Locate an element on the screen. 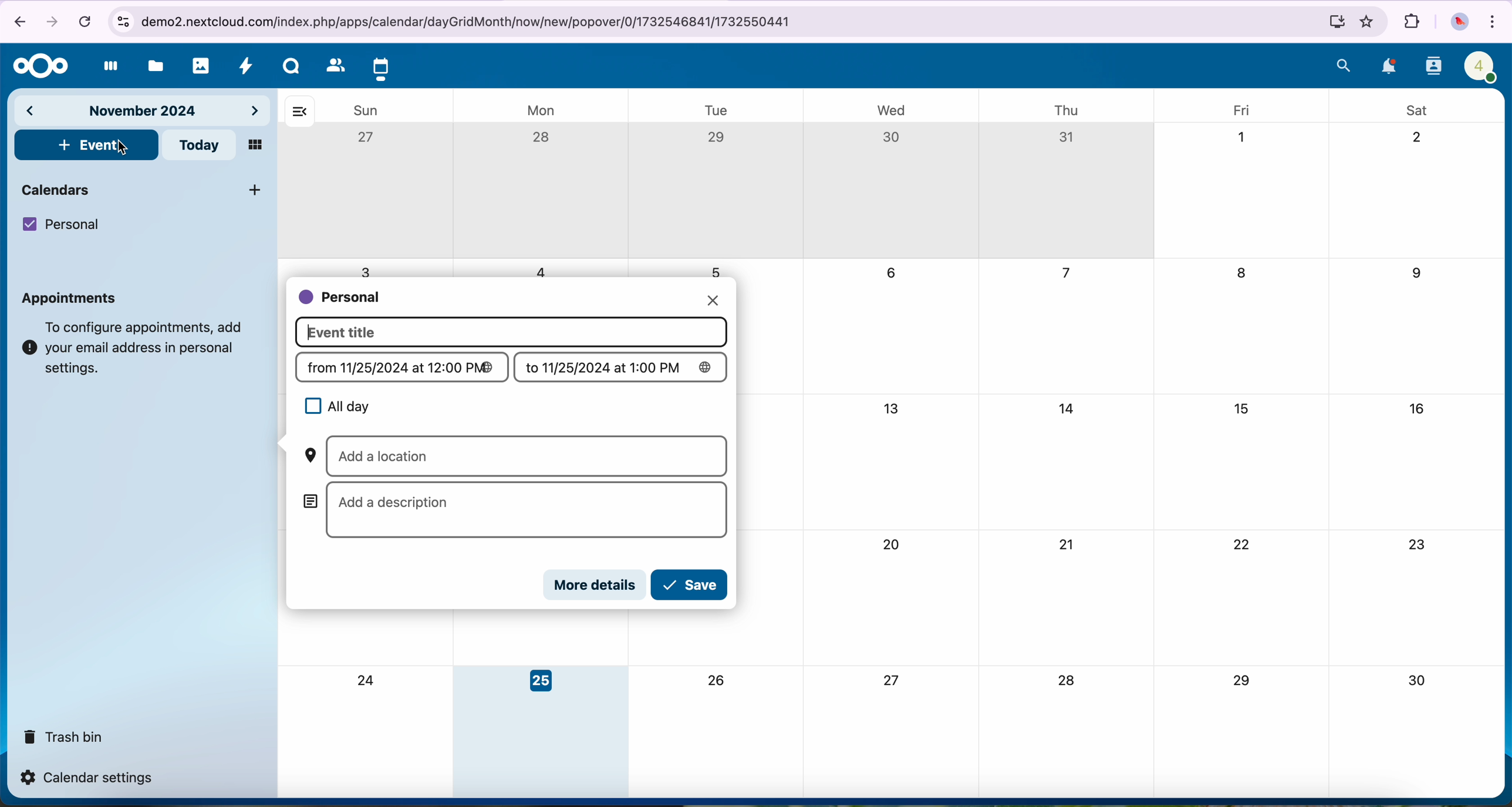  sat is located at coordinates (1421, 110).